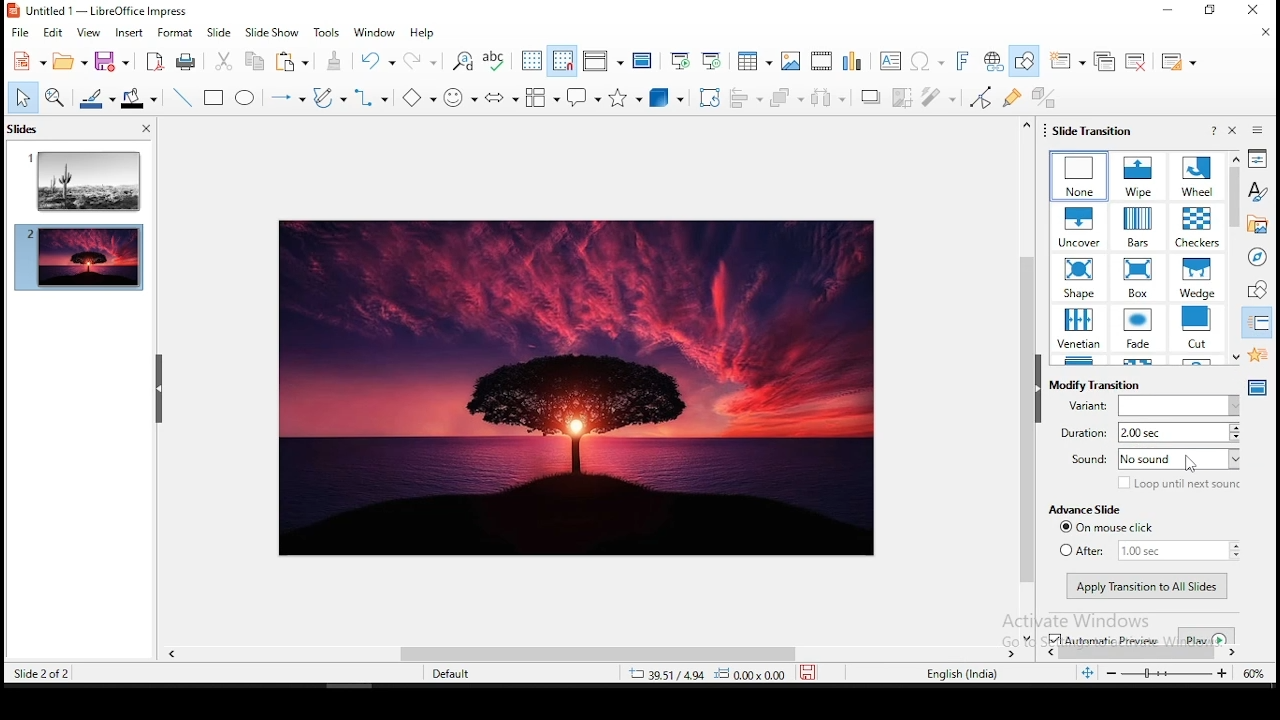 This screenshot has width=1280, height=720. Describe the element at coordinates (25, 98) in the screenshot. I see `select tool` at that location.